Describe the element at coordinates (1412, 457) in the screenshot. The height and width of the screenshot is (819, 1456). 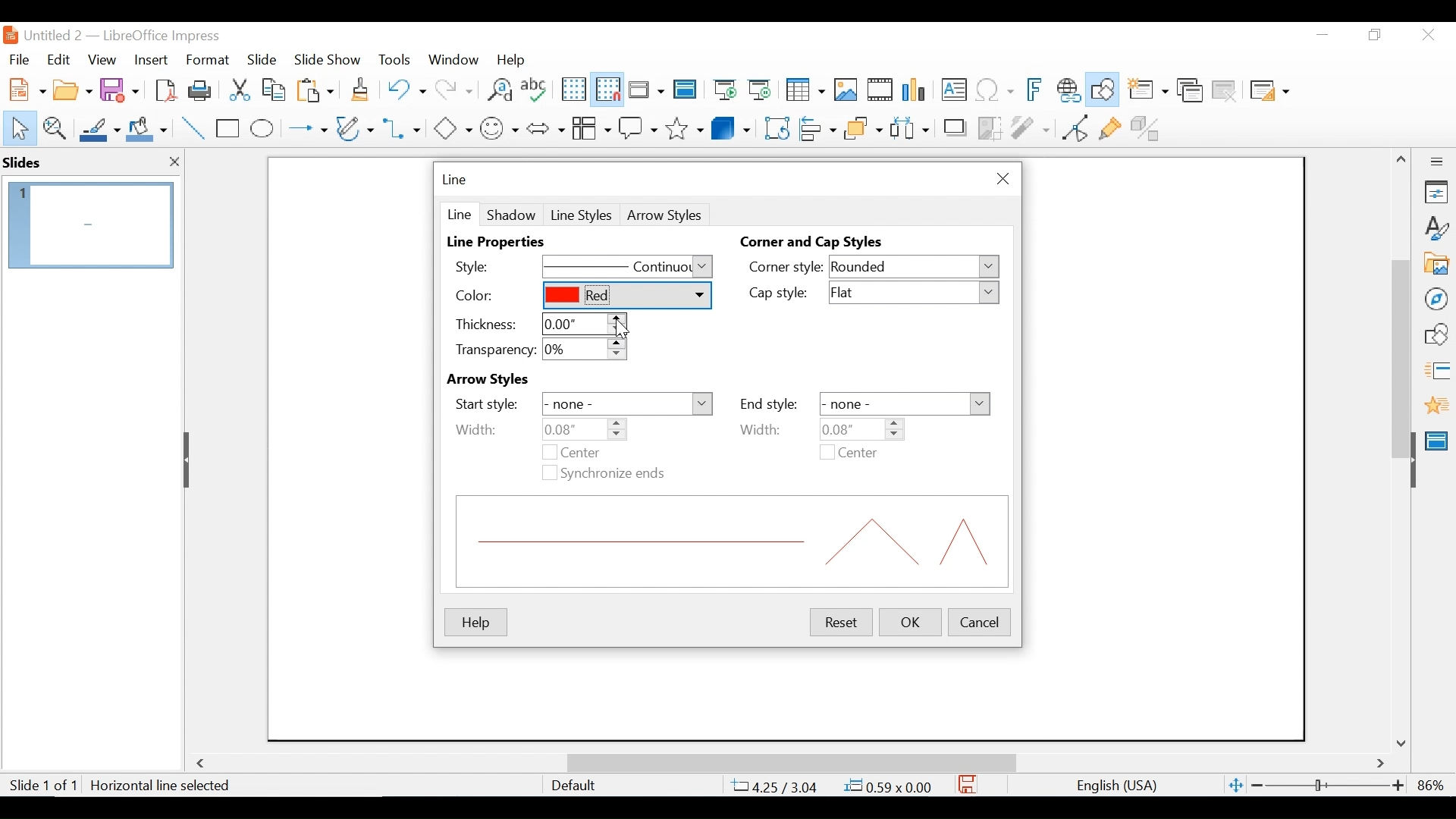
I see `Hide` at that location.